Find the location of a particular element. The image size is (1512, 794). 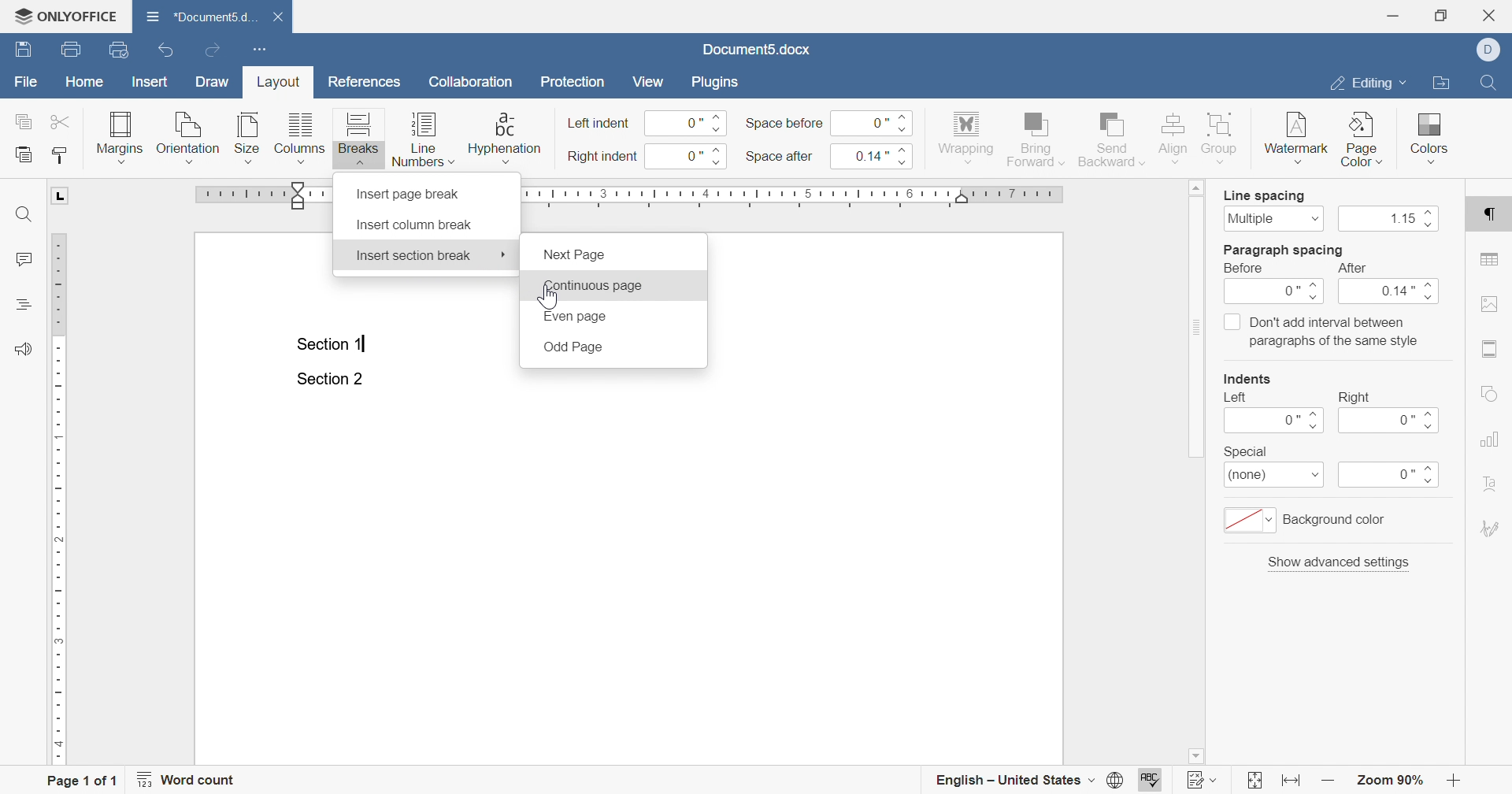

scroll bar is located at coordinates (1198, 319).